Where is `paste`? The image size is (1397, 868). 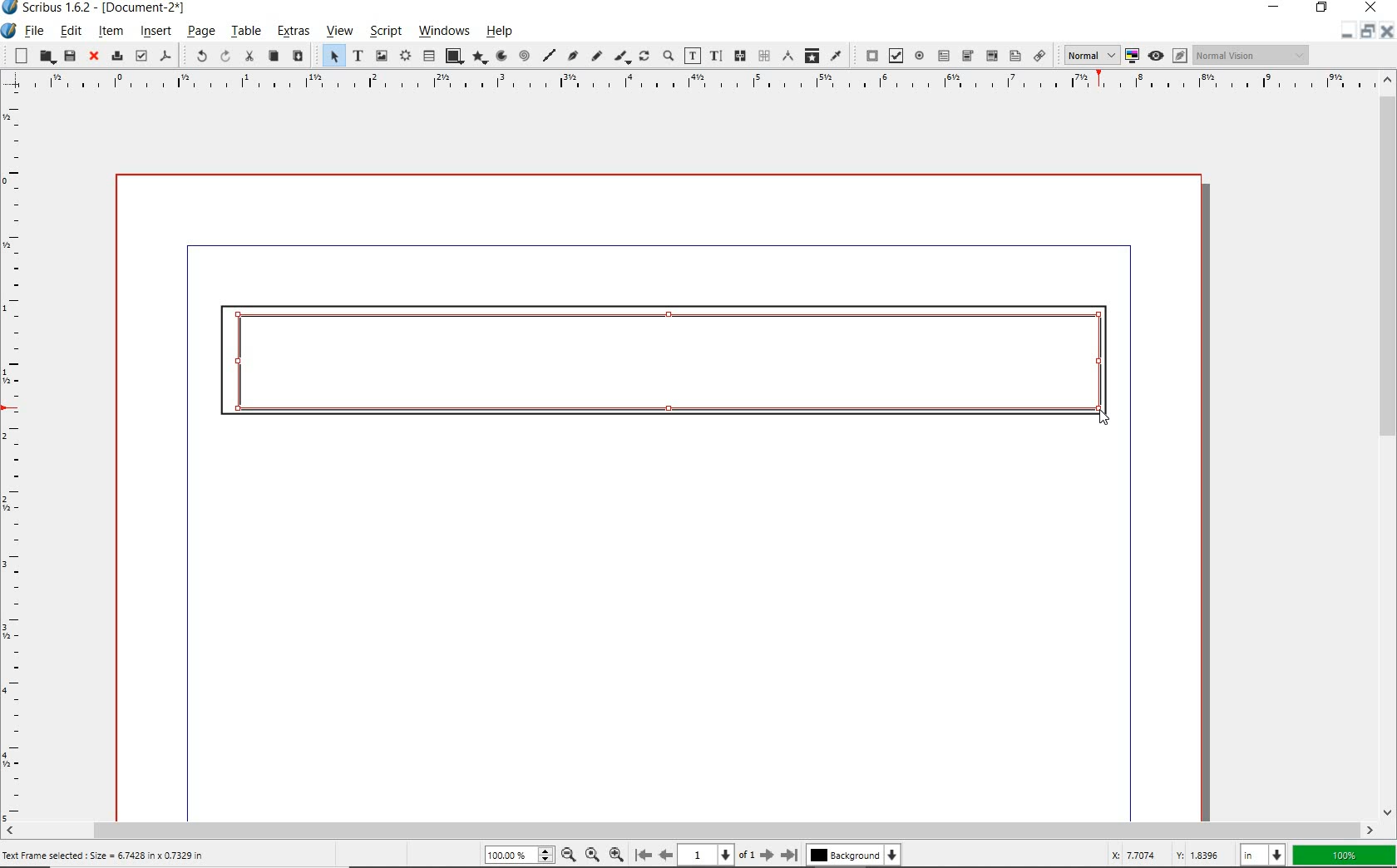
paste is located at coordinates (298, 56).